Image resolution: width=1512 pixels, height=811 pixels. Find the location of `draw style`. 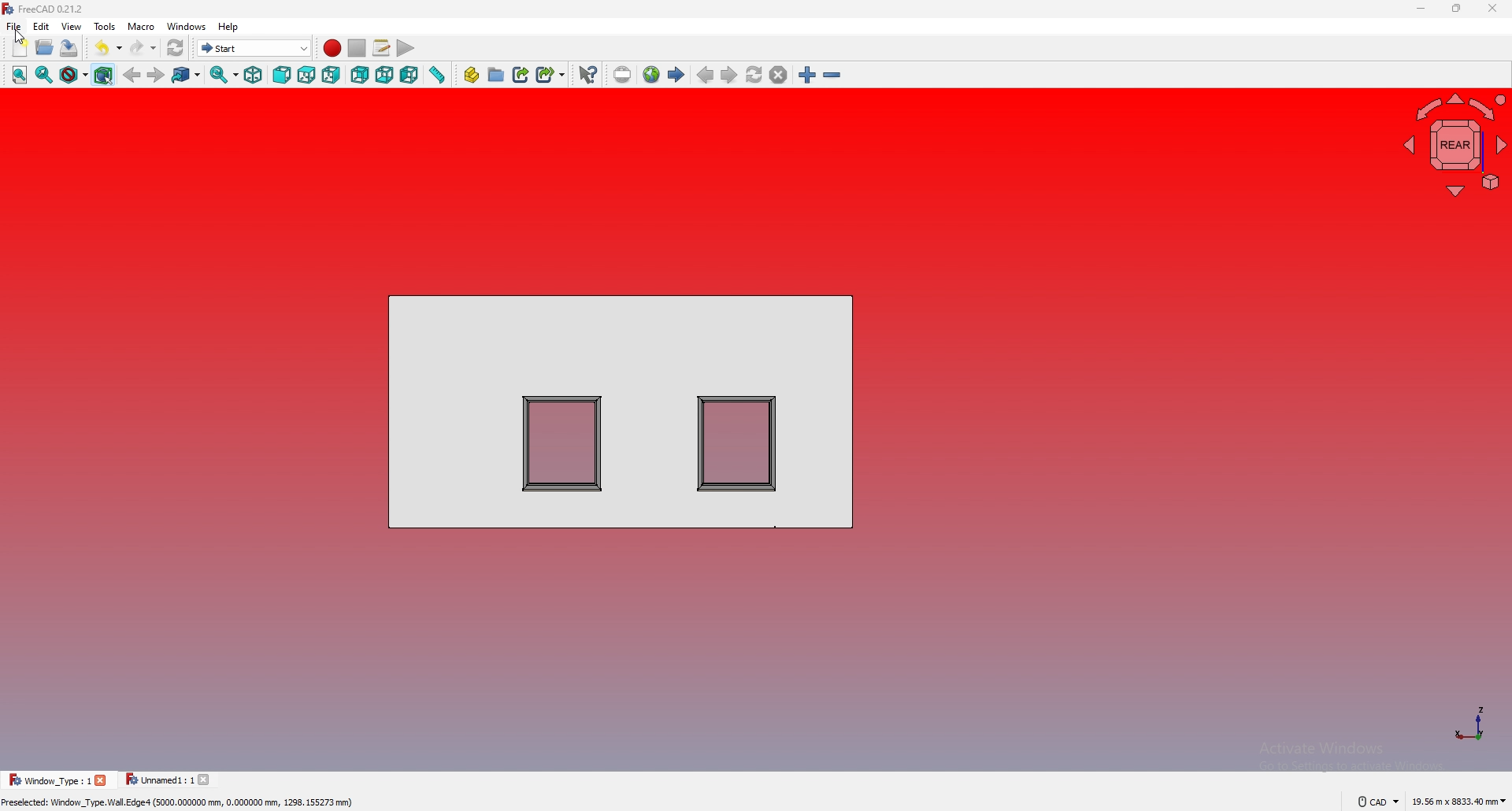

draw style is located at coordinates (74, 76).